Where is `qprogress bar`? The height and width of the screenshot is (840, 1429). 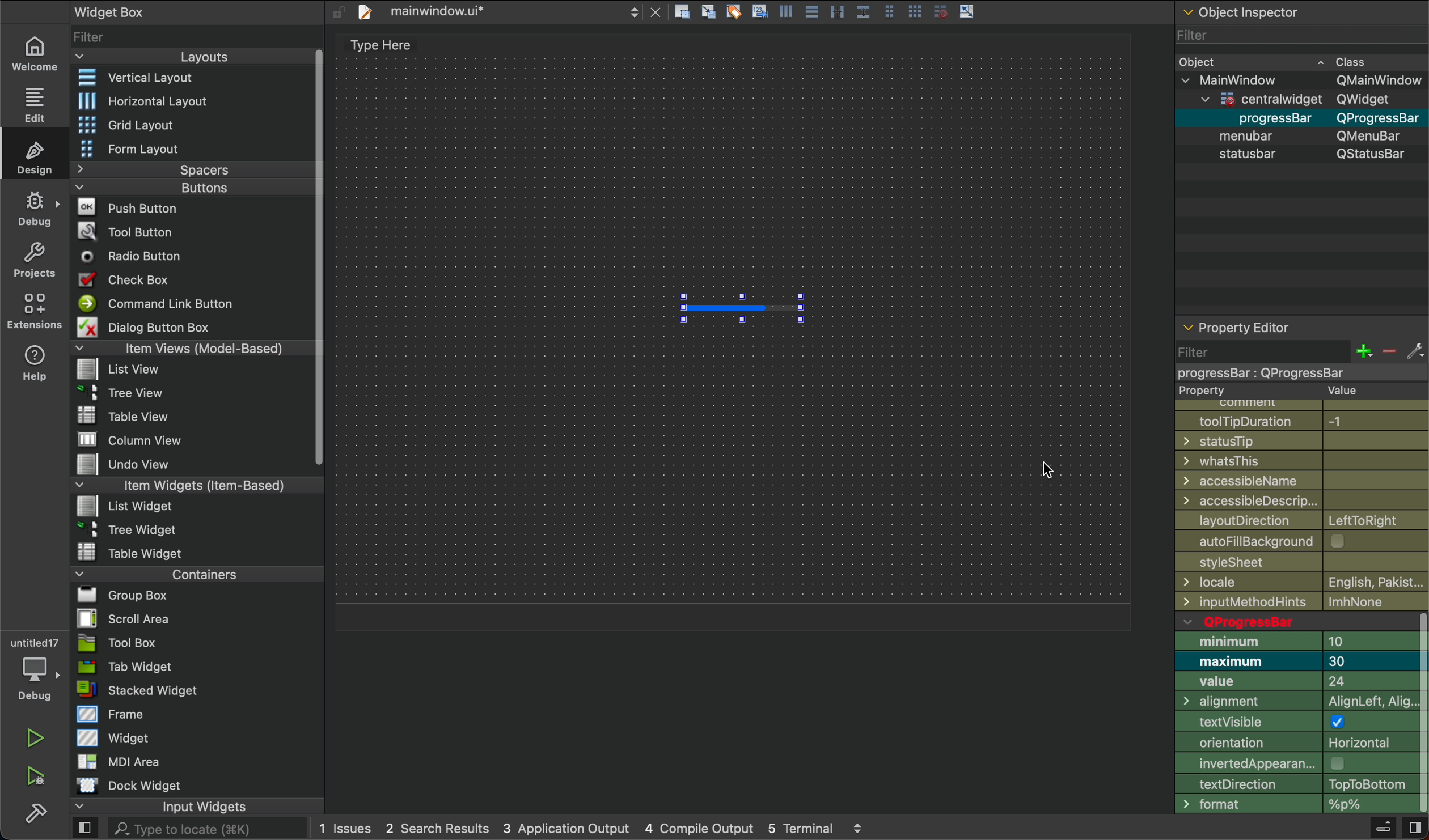 qprogress bar is located at coordinates (1292, 621).